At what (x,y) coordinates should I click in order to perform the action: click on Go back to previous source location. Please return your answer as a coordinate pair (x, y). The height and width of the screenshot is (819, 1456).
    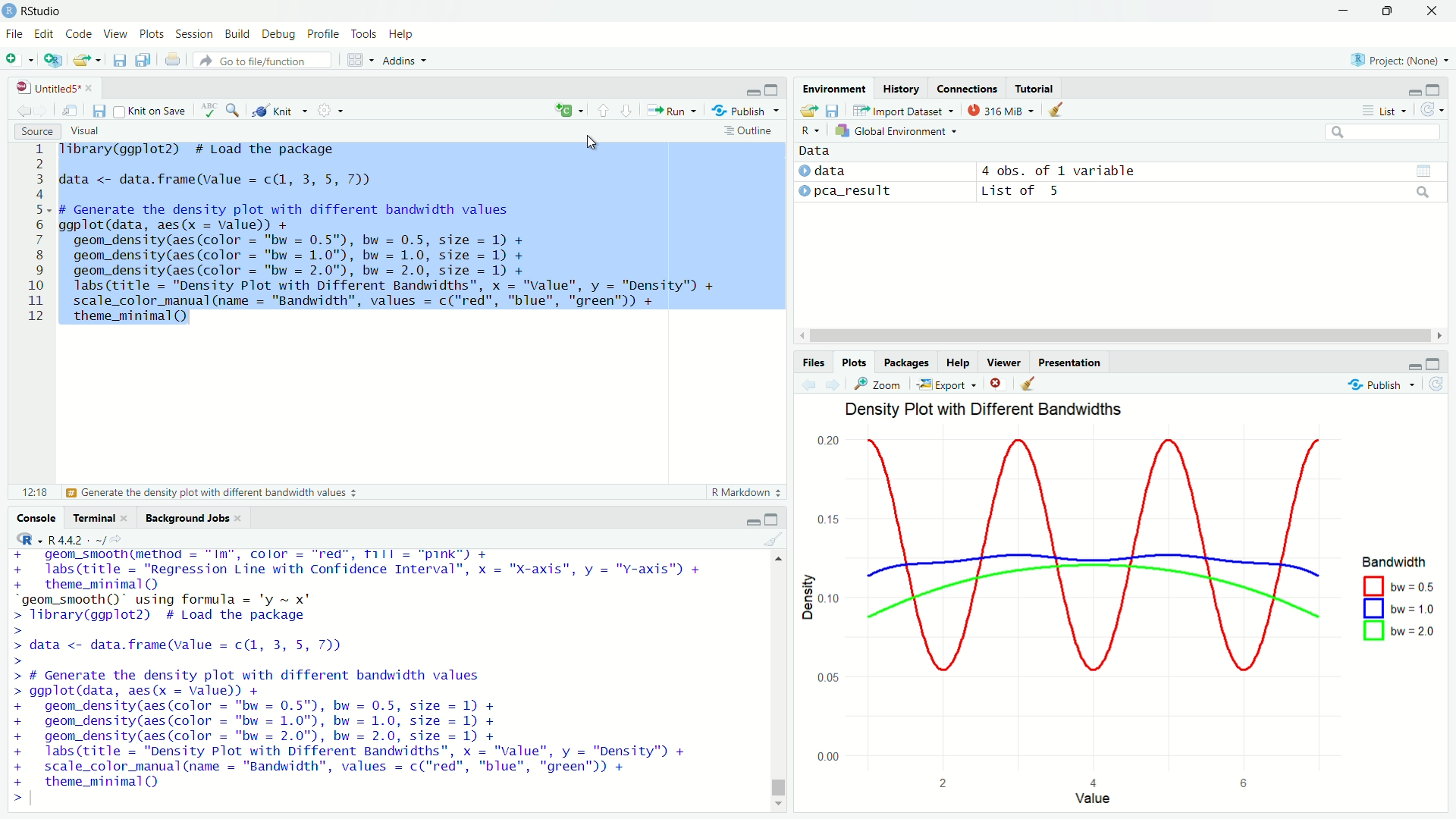
    Looking at the image, I should click on (21, 109).